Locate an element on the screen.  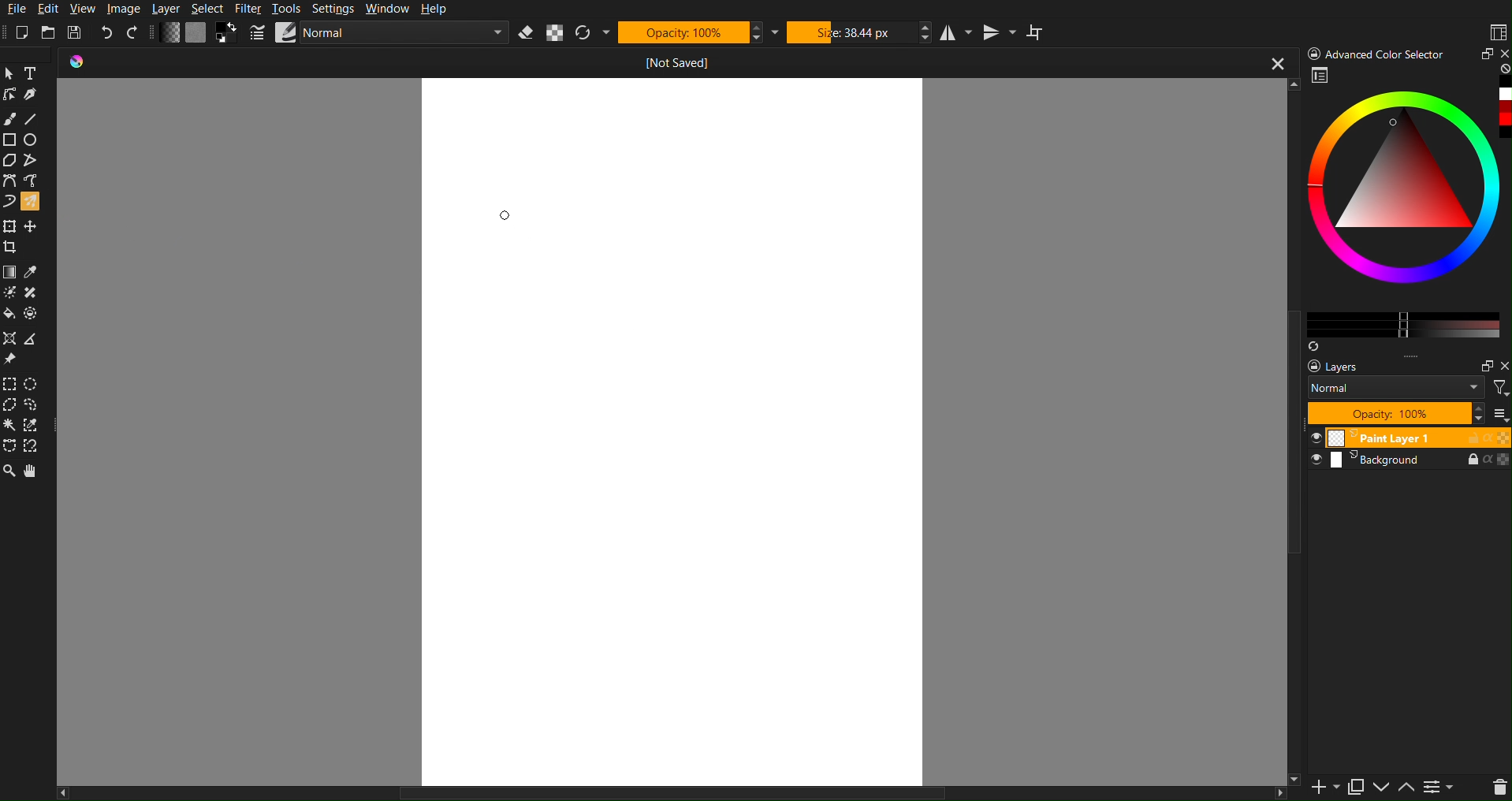
down is located at coordinates (1380, 788).